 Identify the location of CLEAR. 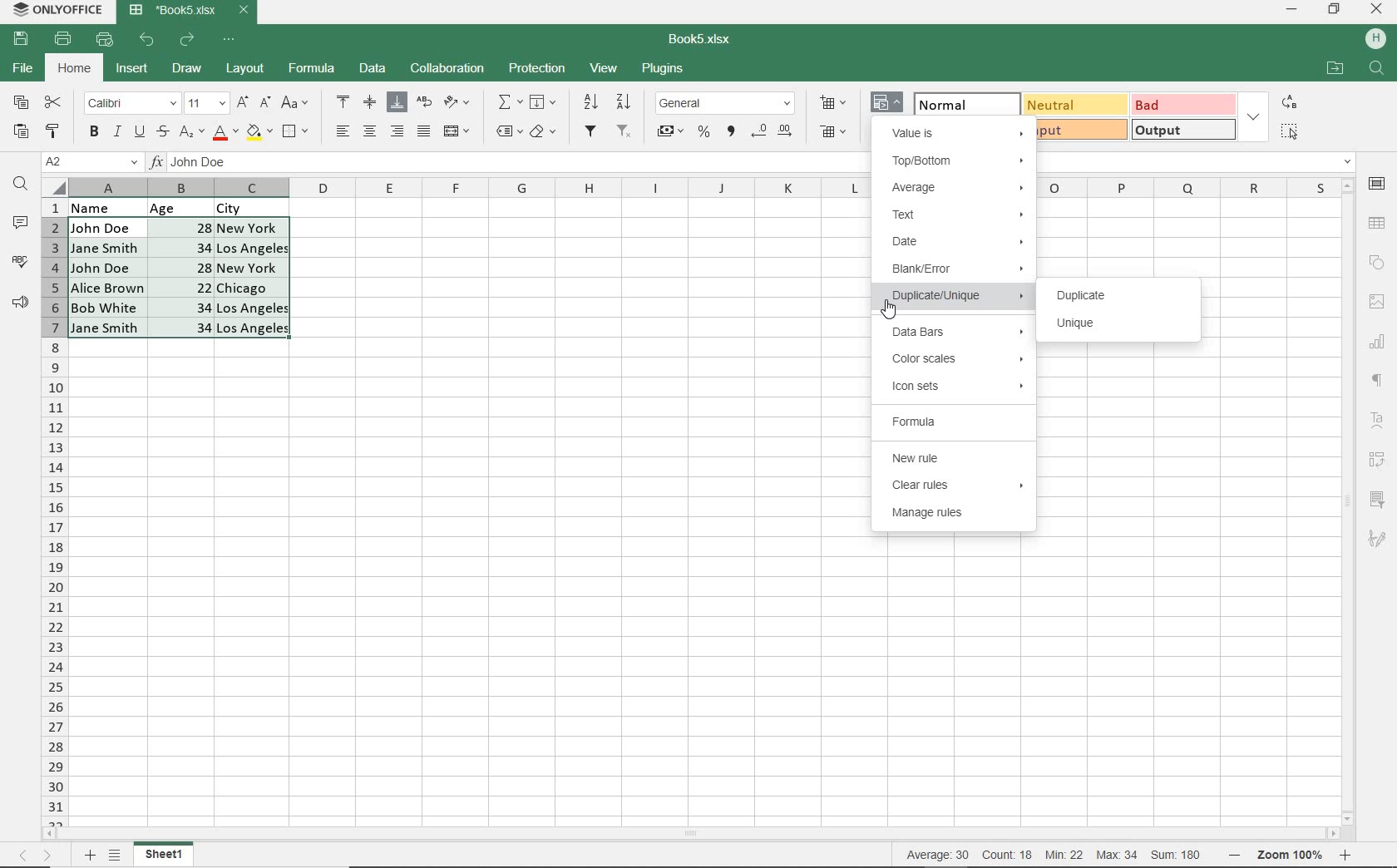
(542, 134).